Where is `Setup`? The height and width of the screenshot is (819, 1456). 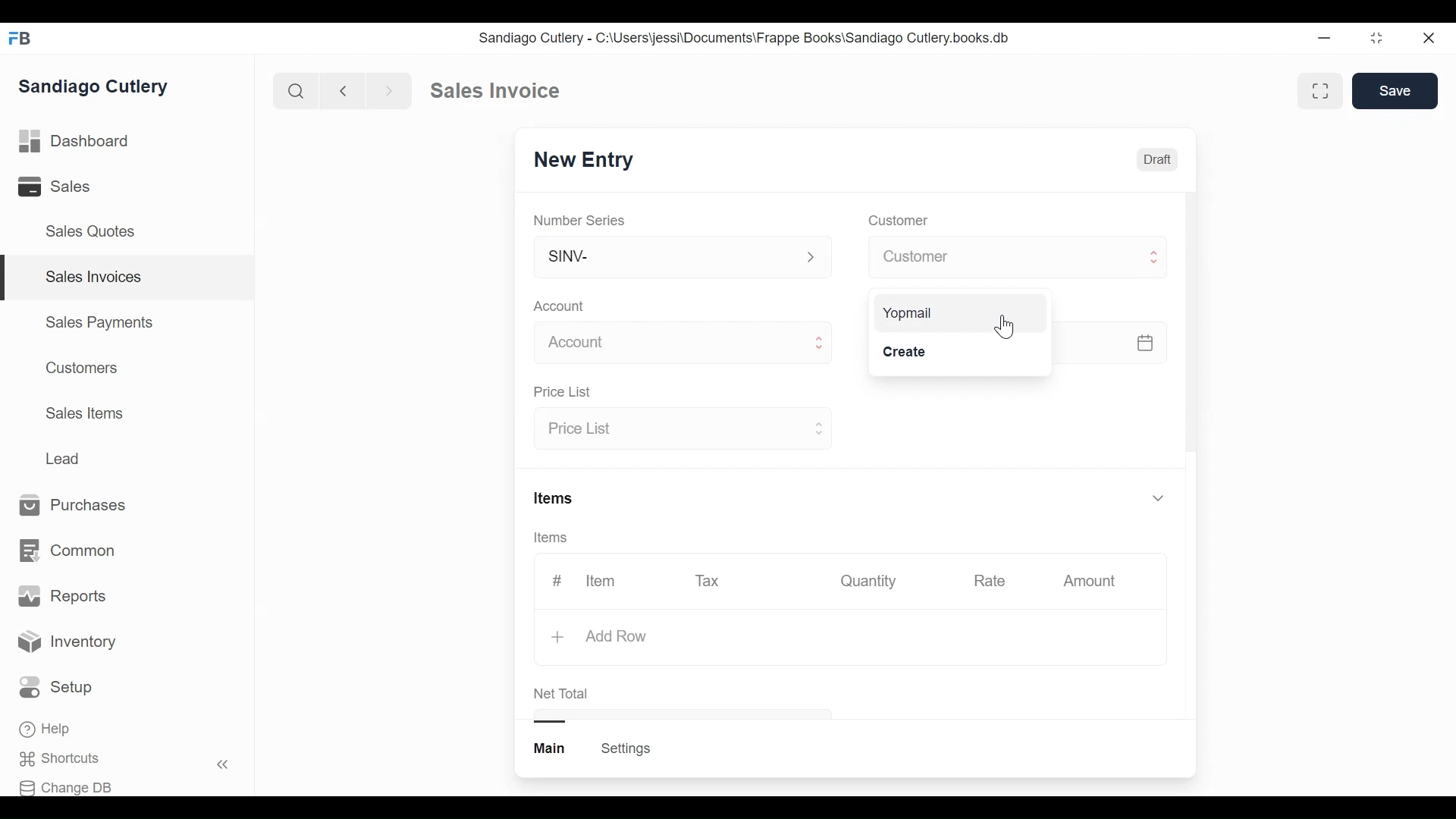
Setup is located at coordinates (56, 687).